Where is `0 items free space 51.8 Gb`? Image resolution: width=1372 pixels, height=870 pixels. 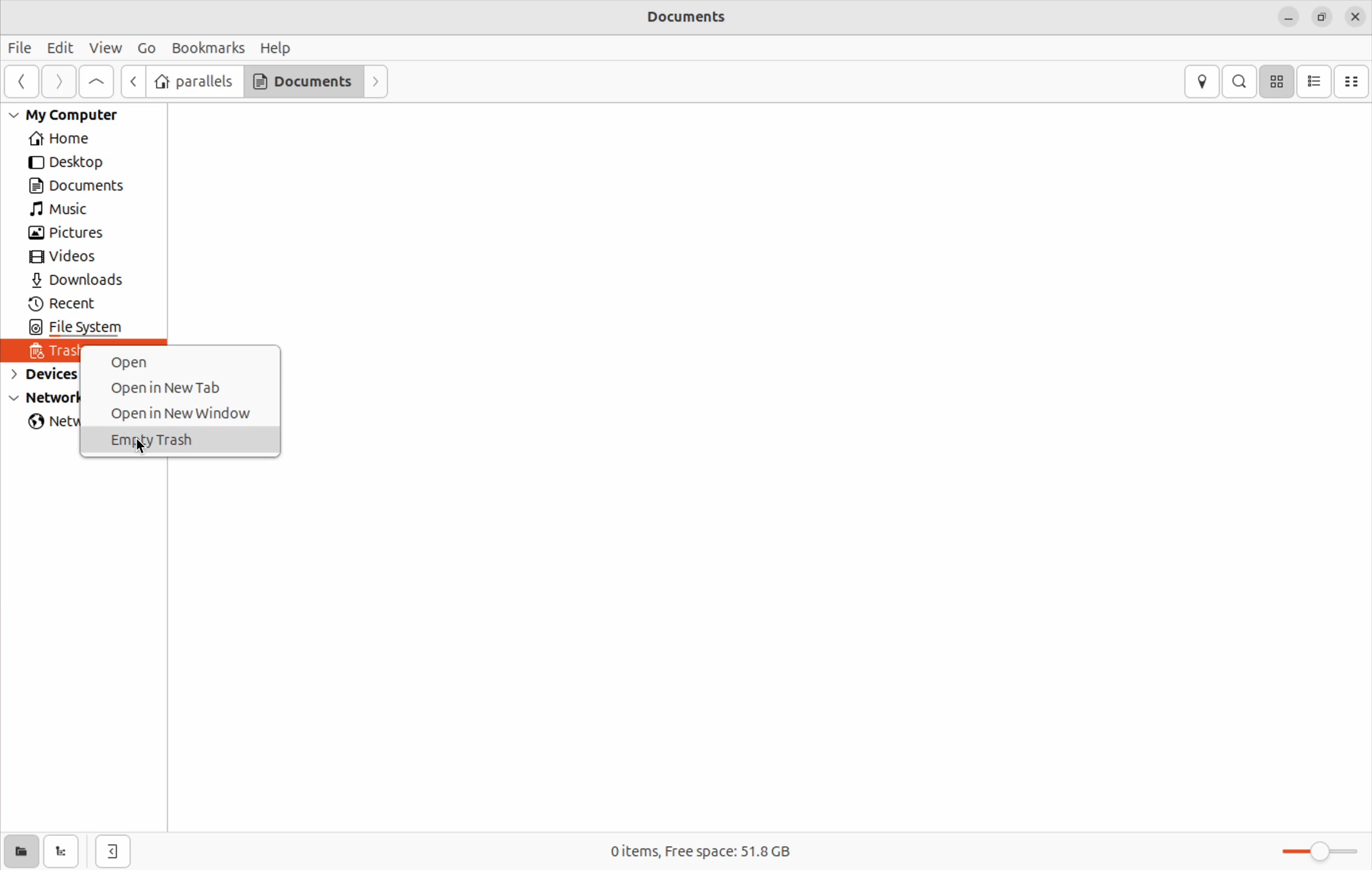
0 items free space 51.8 Gb is located at coordinates (697, 849).